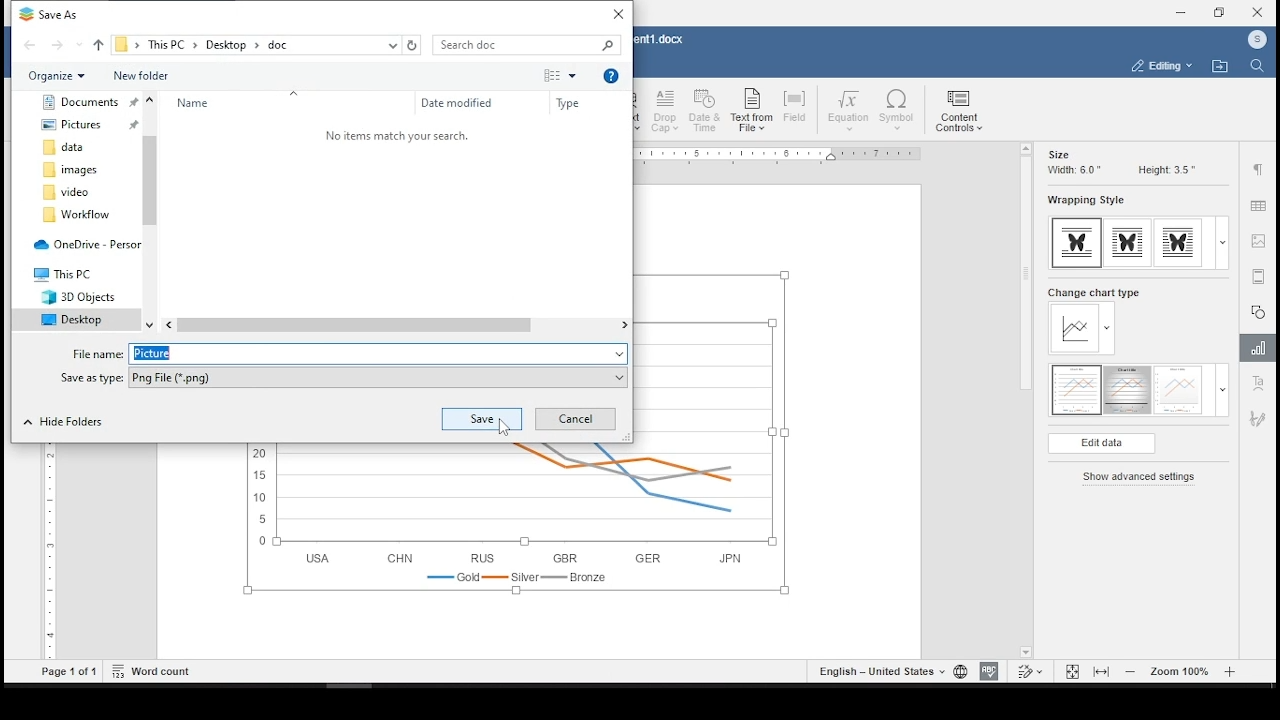  Describe the element at coordinates (414, 45) in the screenshot. I see `refresh` at that location.